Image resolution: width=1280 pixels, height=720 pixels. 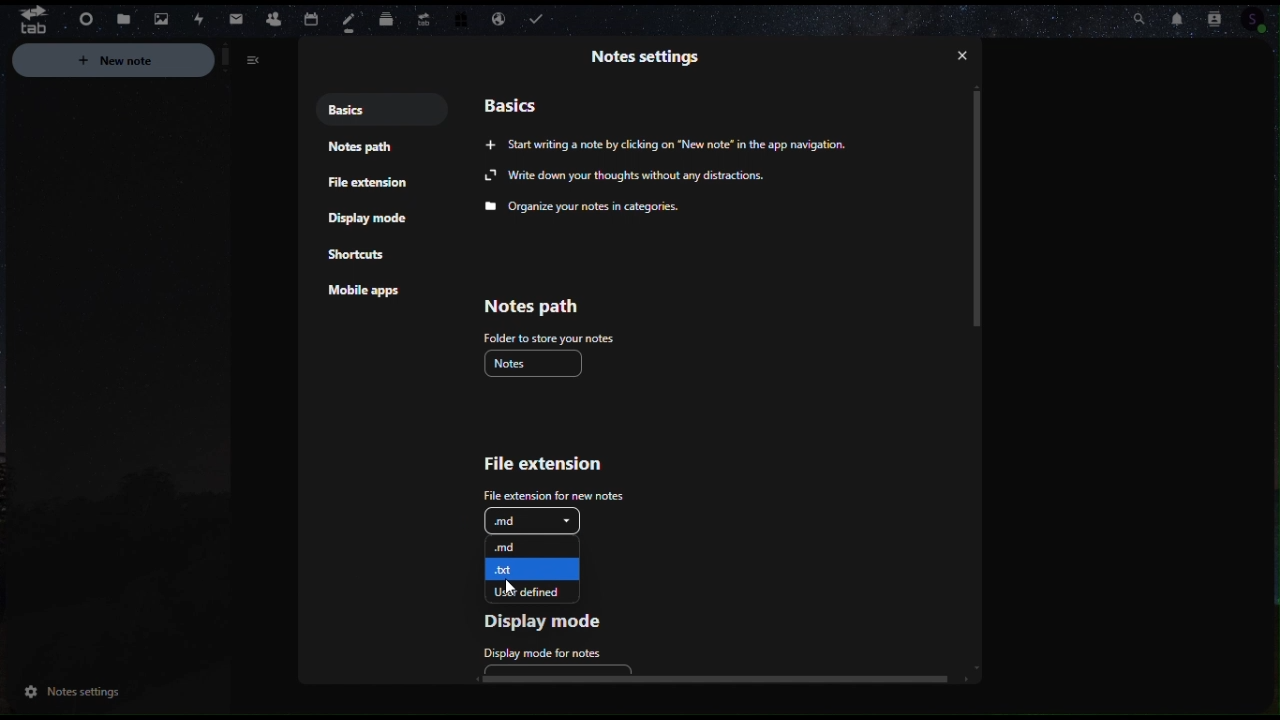 I want to click on Task, so click(x=540, y=20).